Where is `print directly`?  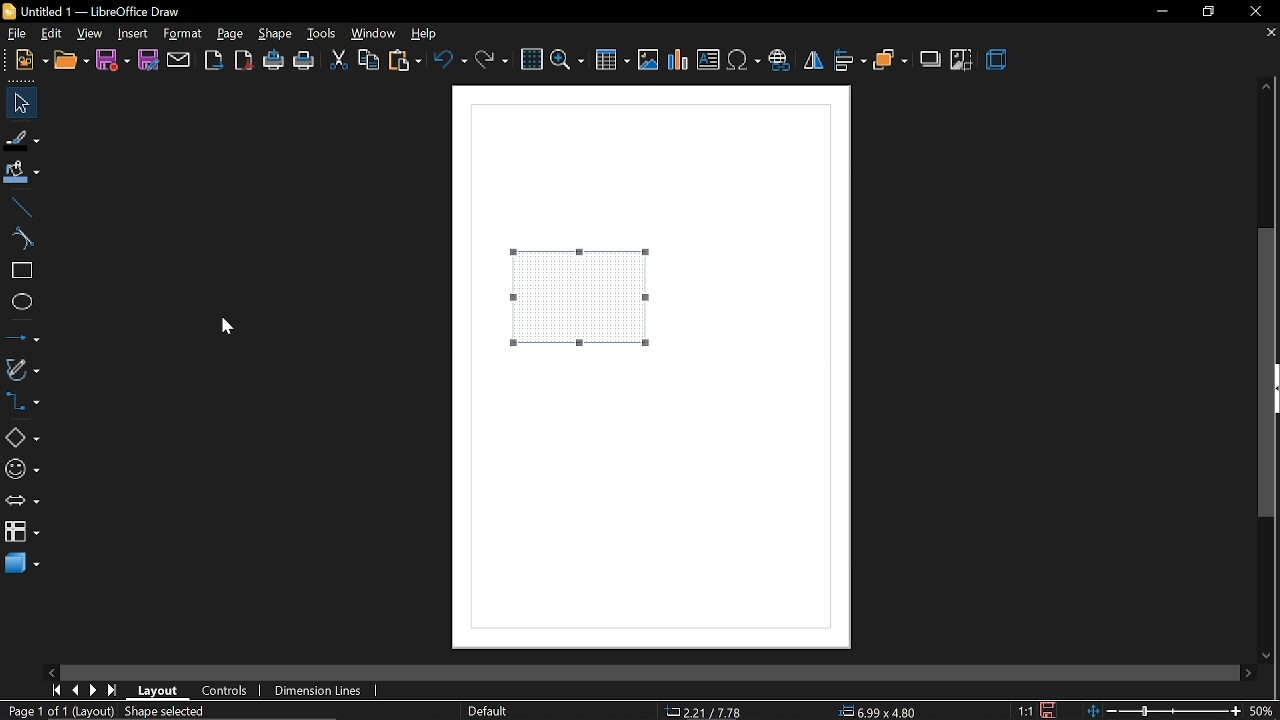 print directly is located at coordinates (274, 62).